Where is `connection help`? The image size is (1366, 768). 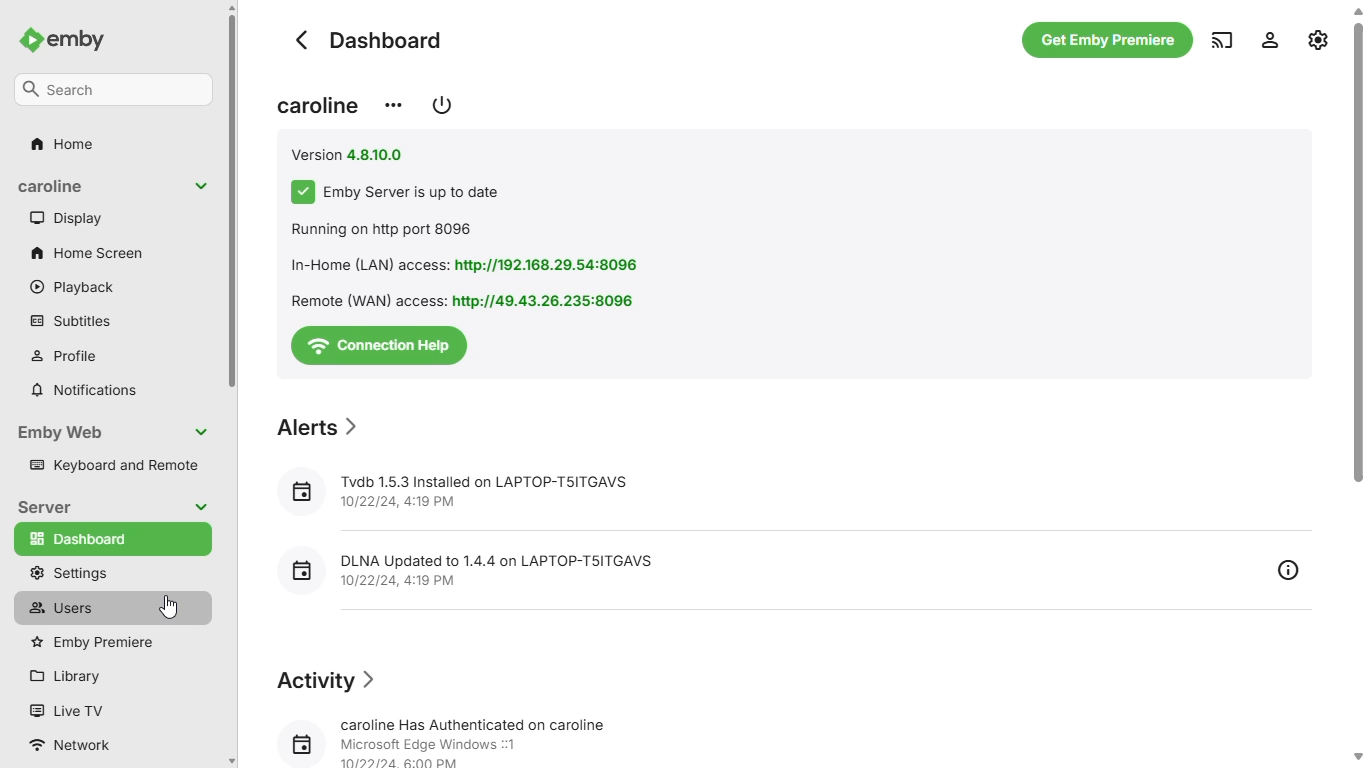
connection help is located at coordinates (378, 346).